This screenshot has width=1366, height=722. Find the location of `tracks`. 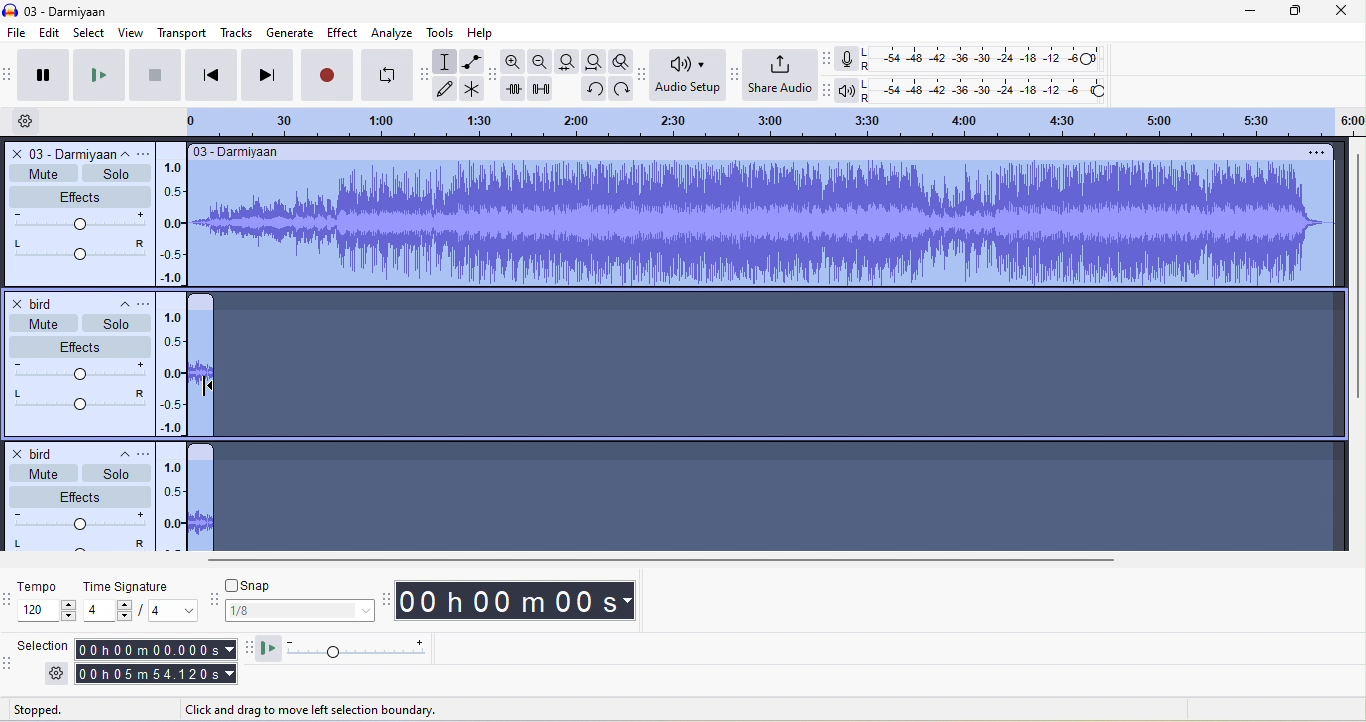

tracks is located at coordinates (233, 33).